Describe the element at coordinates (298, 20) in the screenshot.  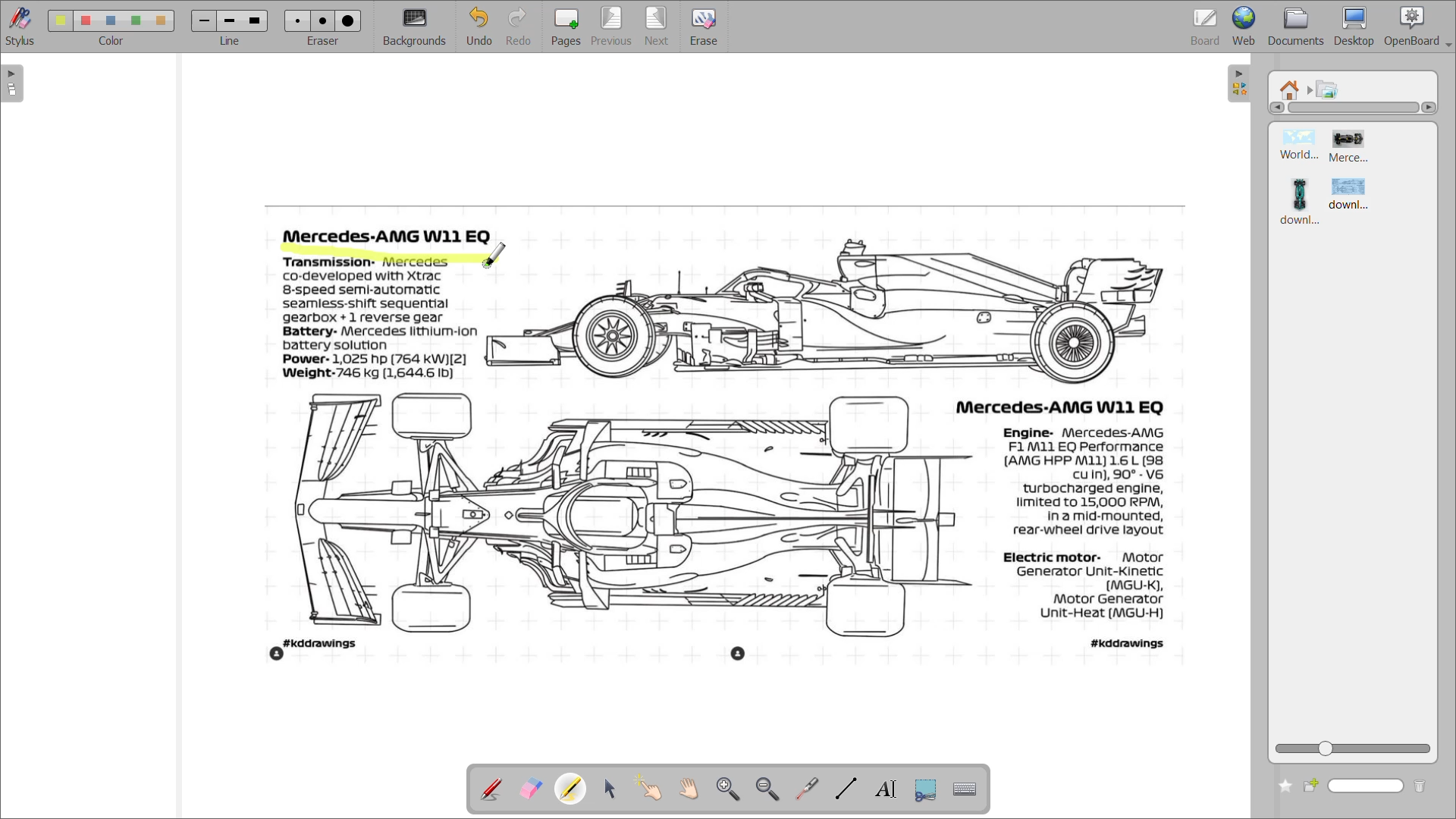
I see `eraser 1` at that location.